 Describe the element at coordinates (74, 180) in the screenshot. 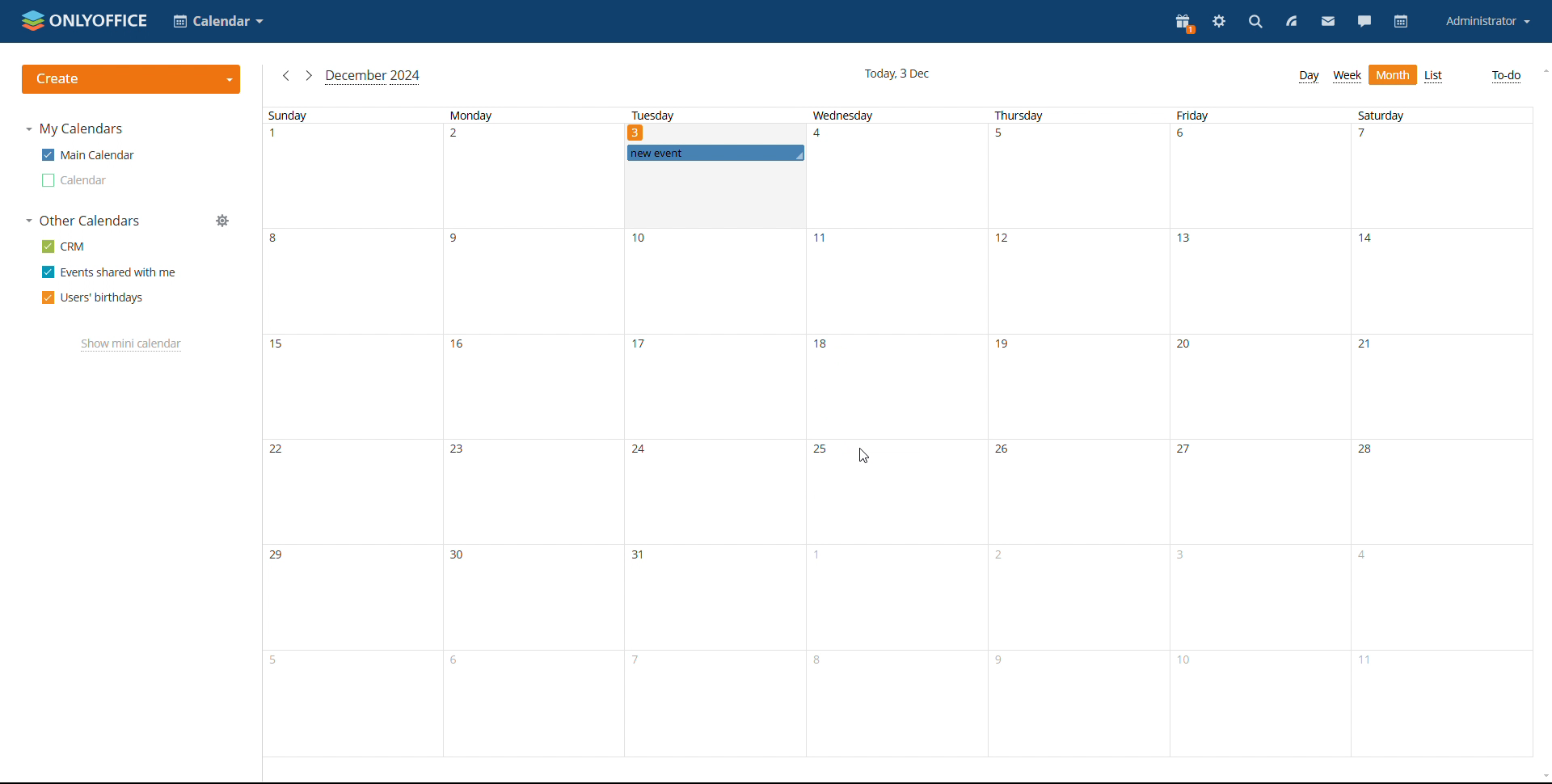

I see `other calendar` at that location.